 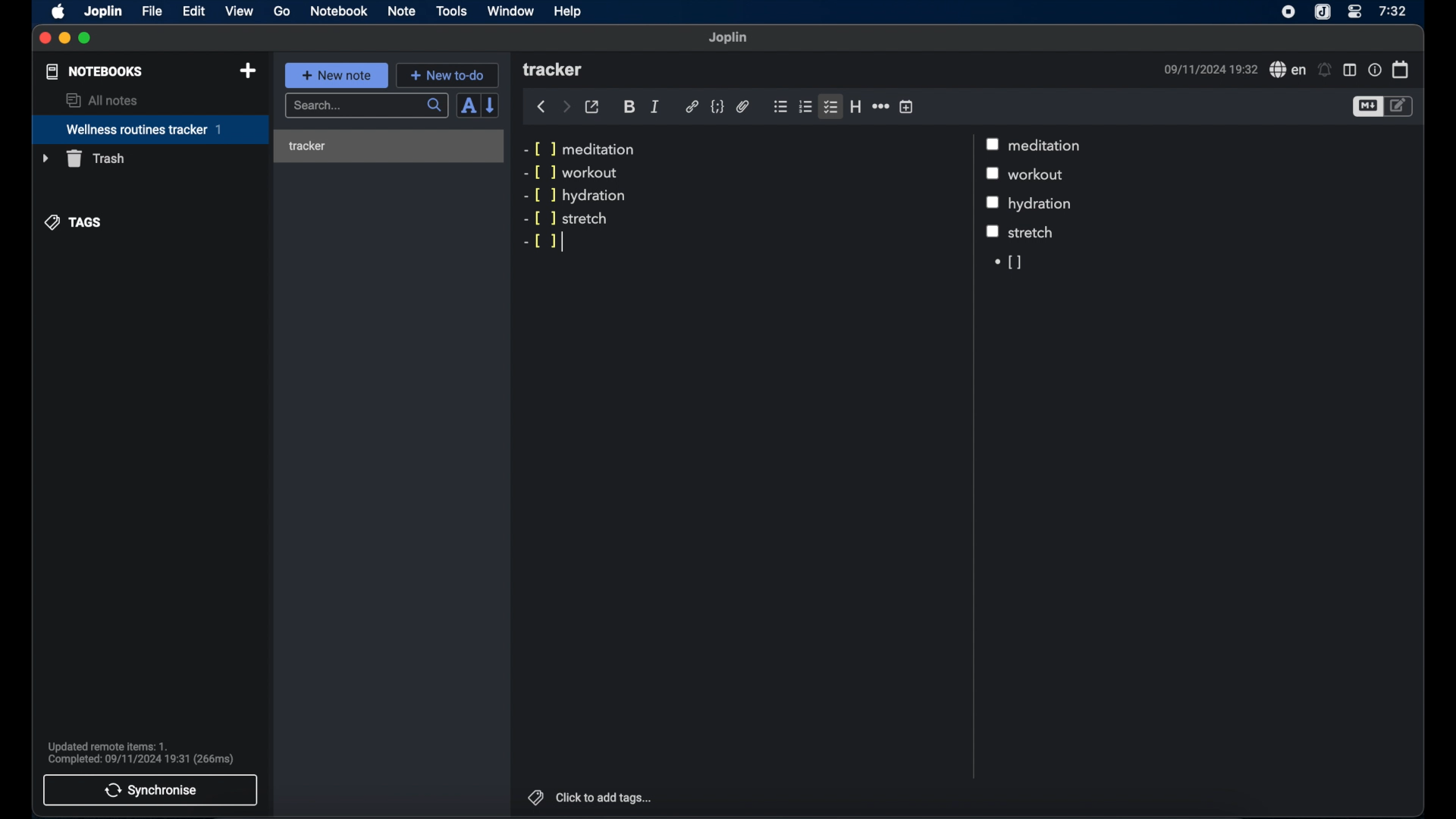 I want to click on notebooks, so click(x=95, y=71).